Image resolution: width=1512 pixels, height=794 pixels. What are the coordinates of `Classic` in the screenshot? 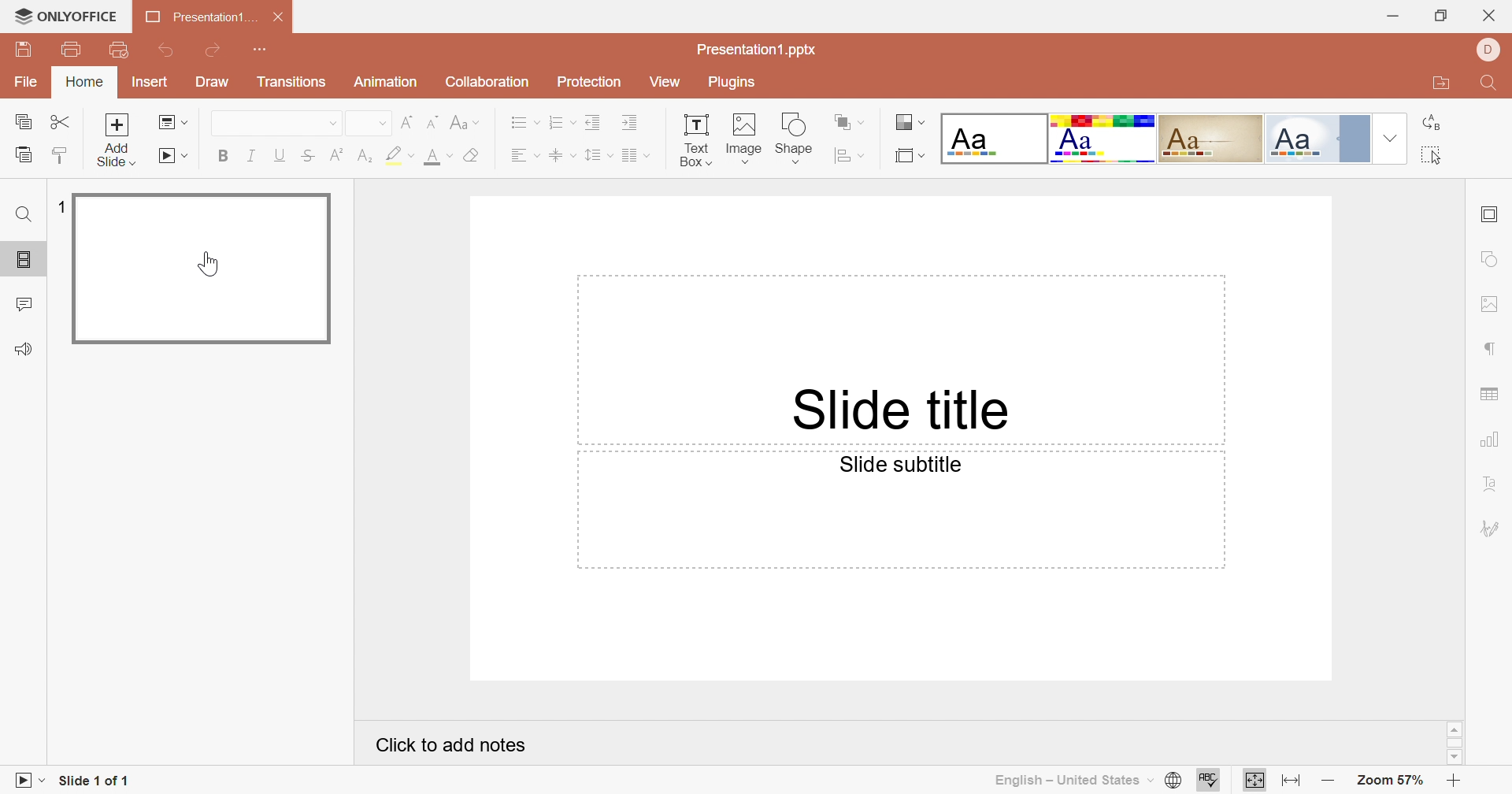 It's located at (1214, 138).